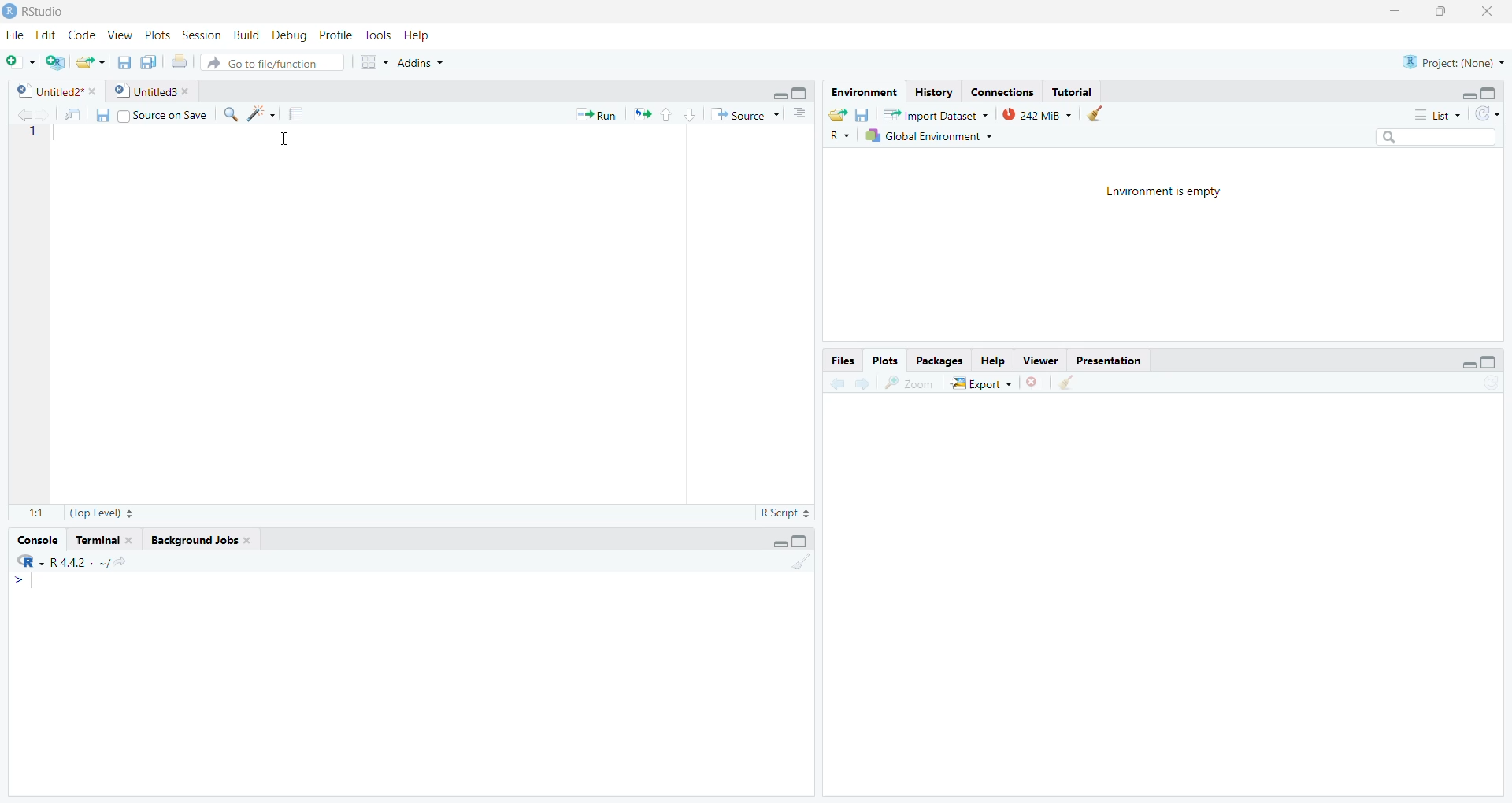 The height and width of the screenshot is (803, 1512). Describe the element at coordinates (245, 35) in the screenshot. I see `Build` at that location.